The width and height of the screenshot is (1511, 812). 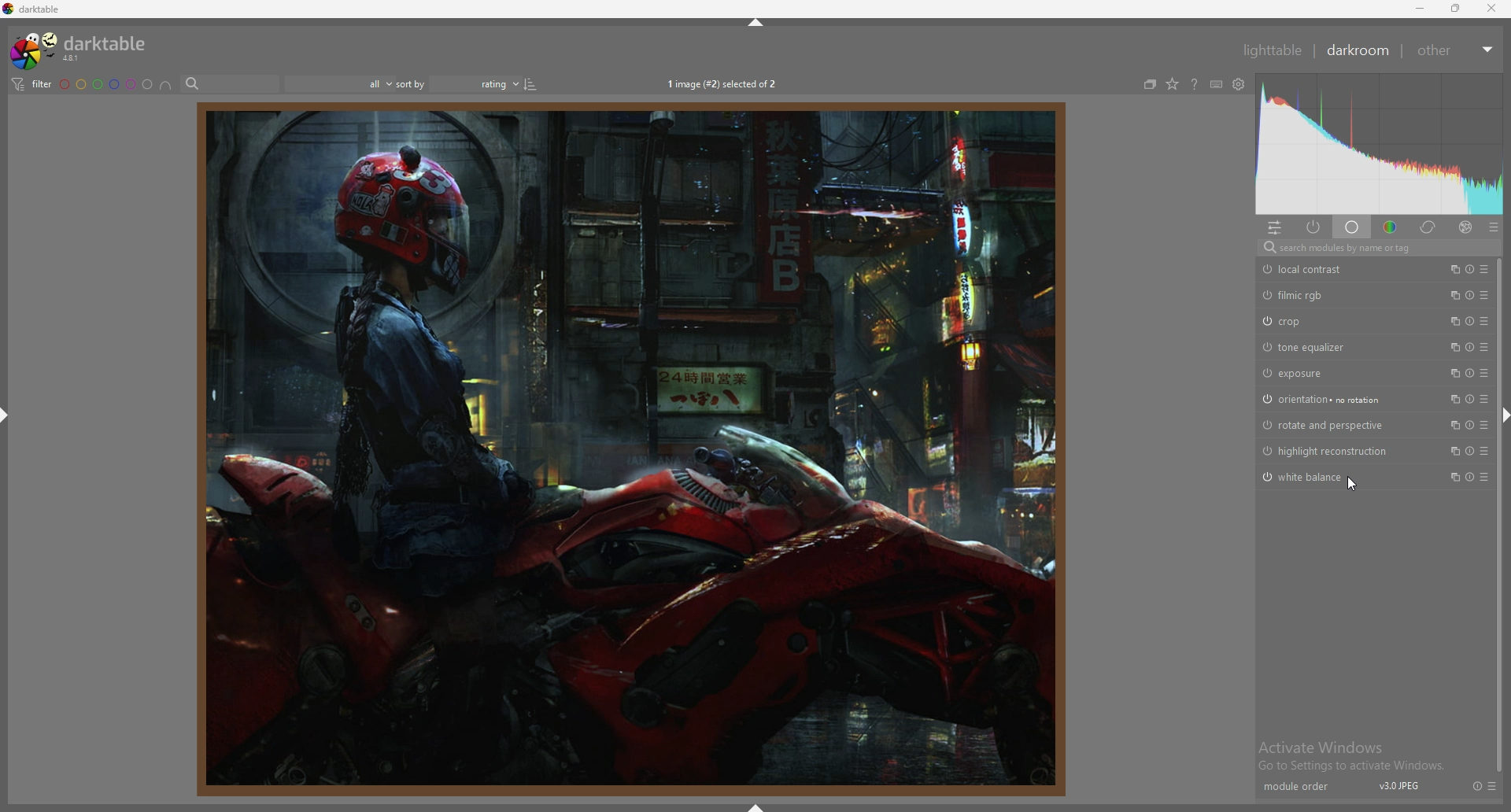 What do you see at coordinates (1310, 270) in the screenshot?
I see `local contrast` at bounding box center [1310, 270].